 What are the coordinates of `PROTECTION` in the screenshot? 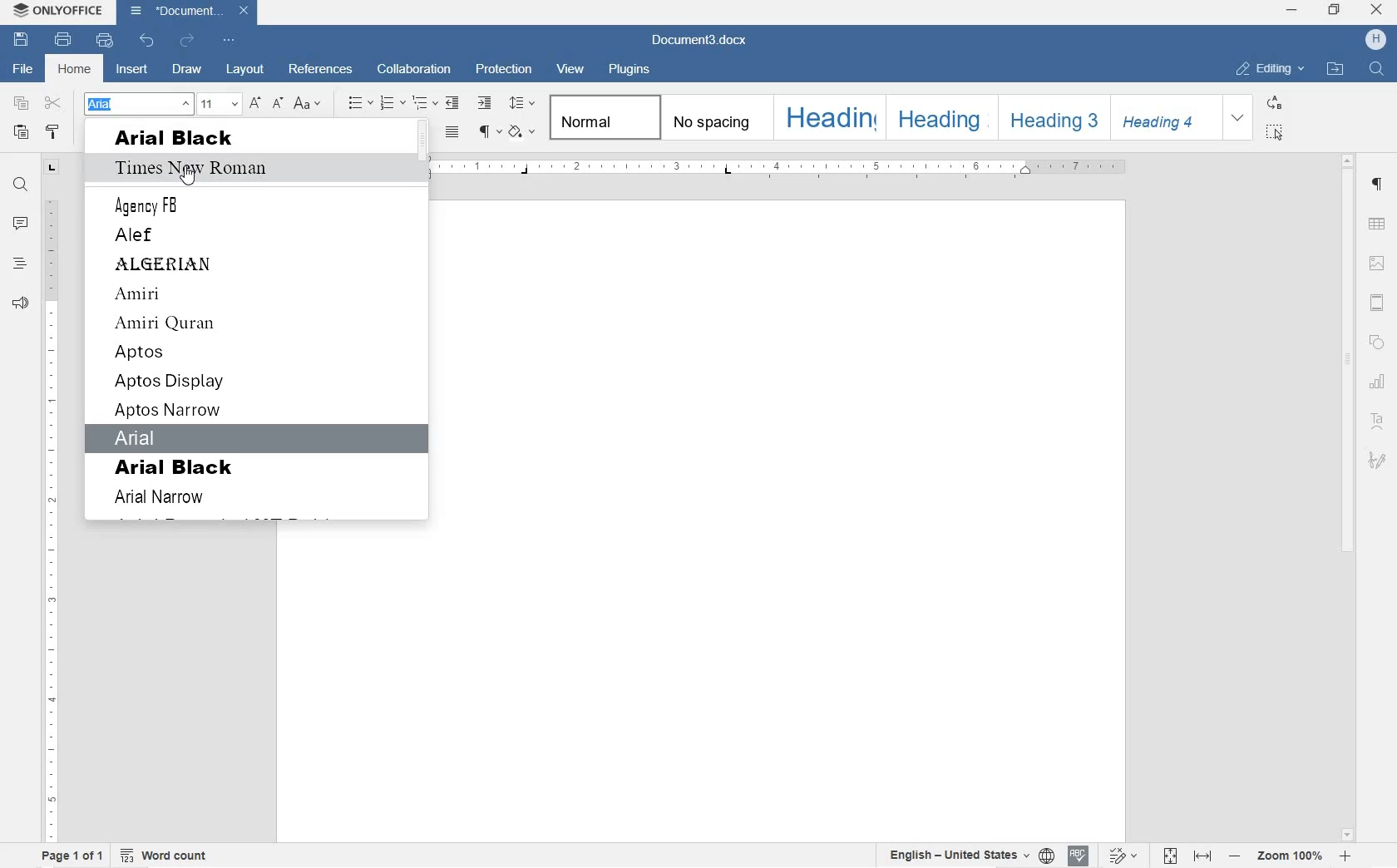 It's located at (506, 67).